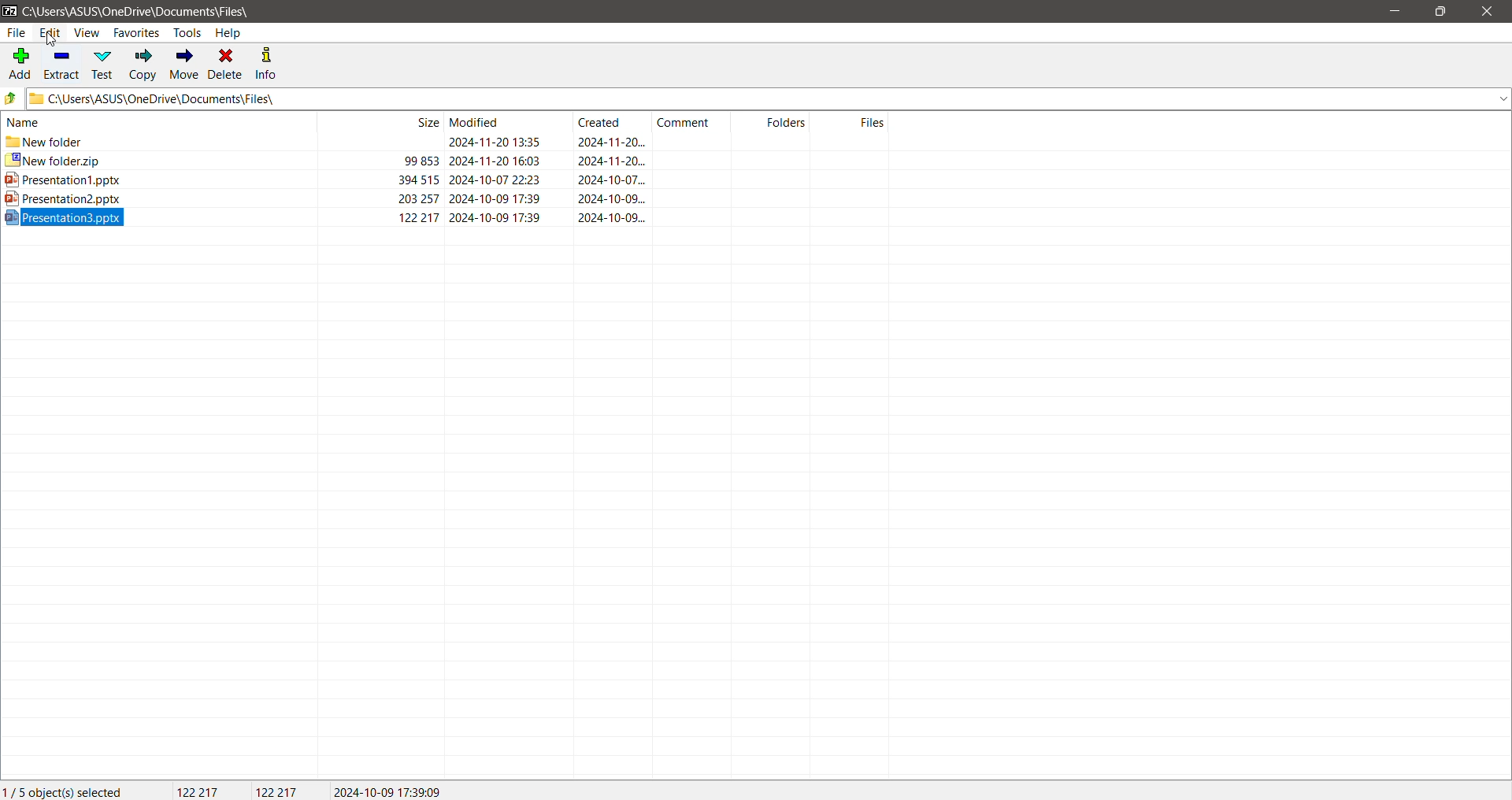 This screenshot has height=800, width=1512. What do you see at coordinates (446, 161) in the screenshot?
I see `zip folder` at bounding box center [446, 161].